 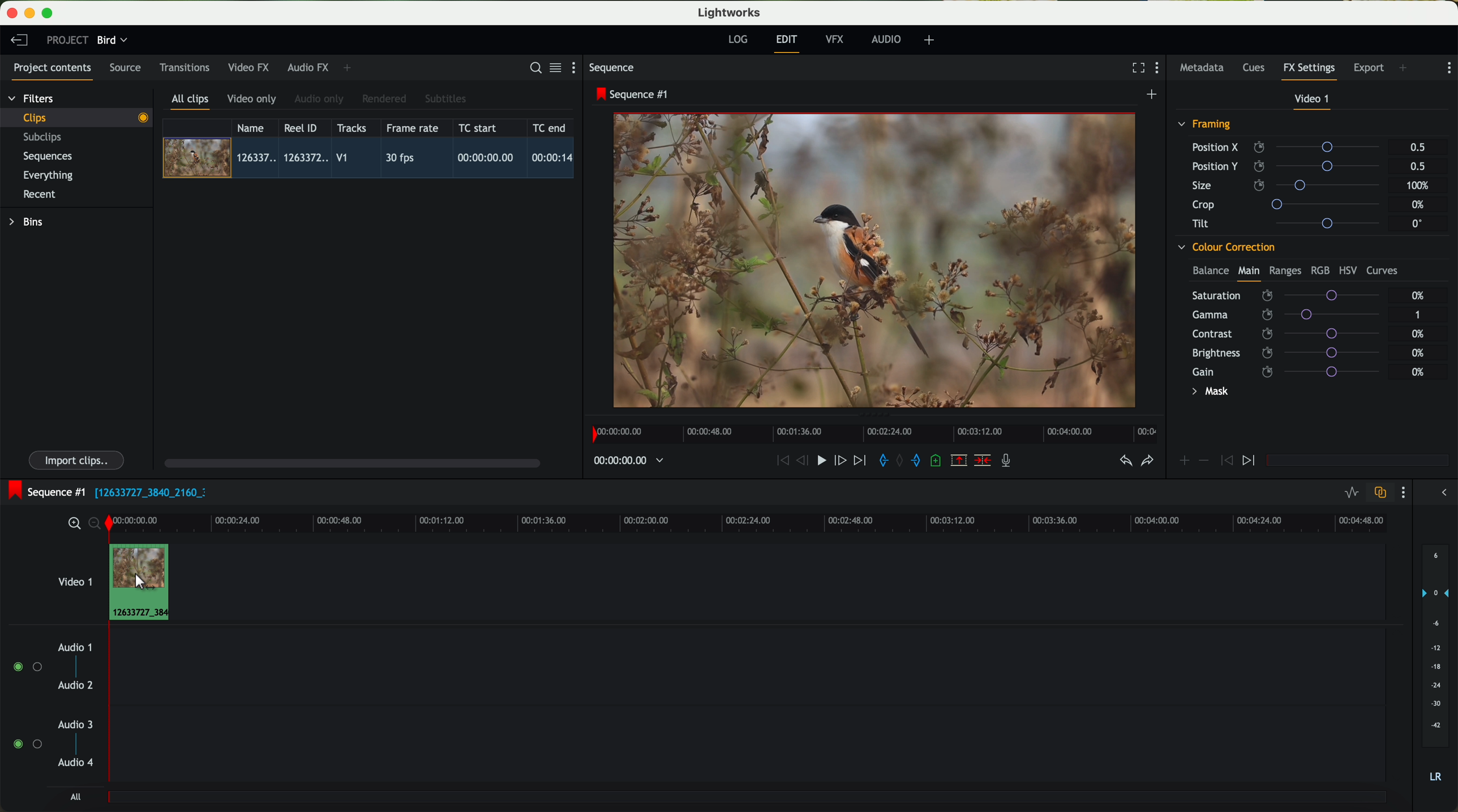 I want to click on gamma, so click(x=1292, y=314).